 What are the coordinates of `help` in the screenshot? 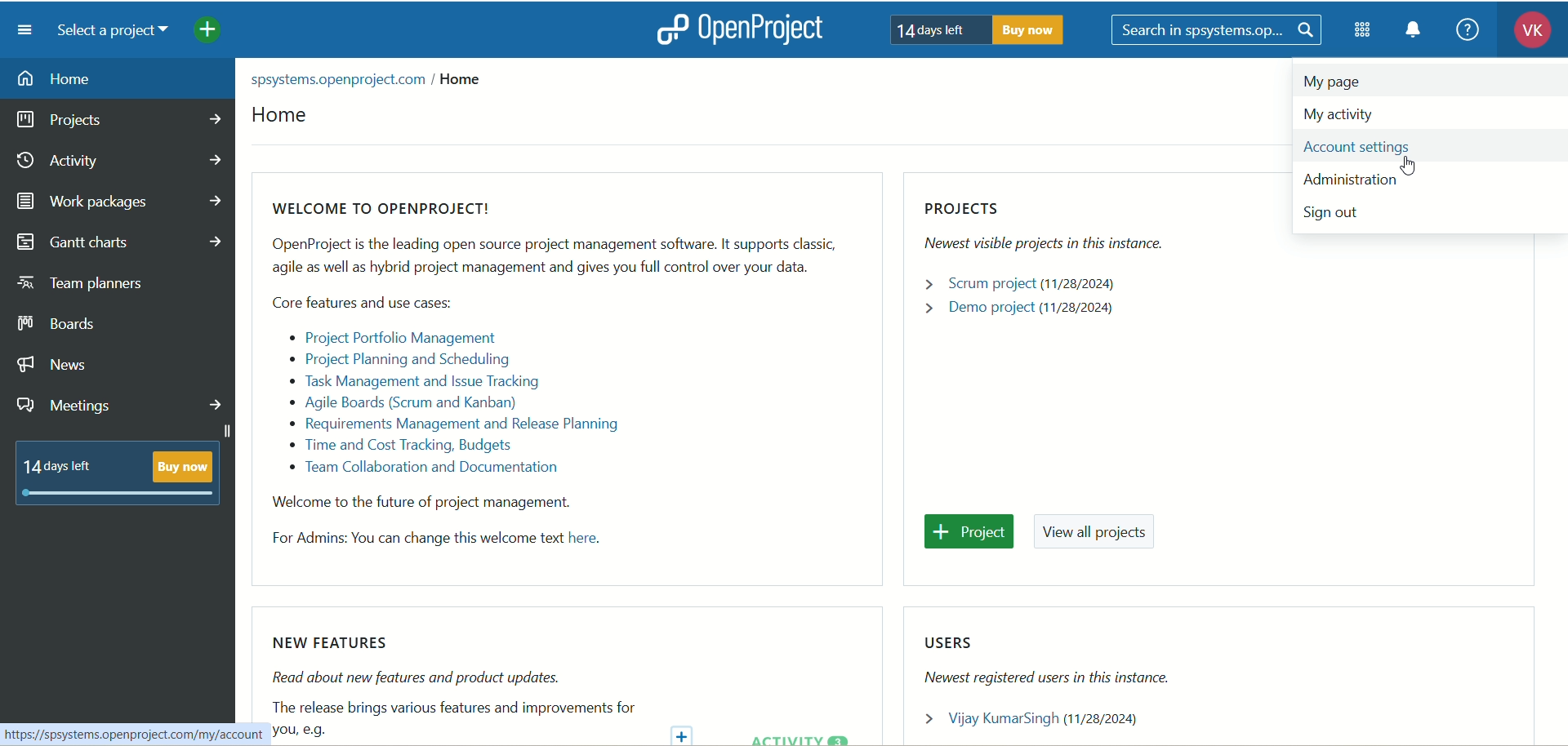 It's located at (1467, 29).